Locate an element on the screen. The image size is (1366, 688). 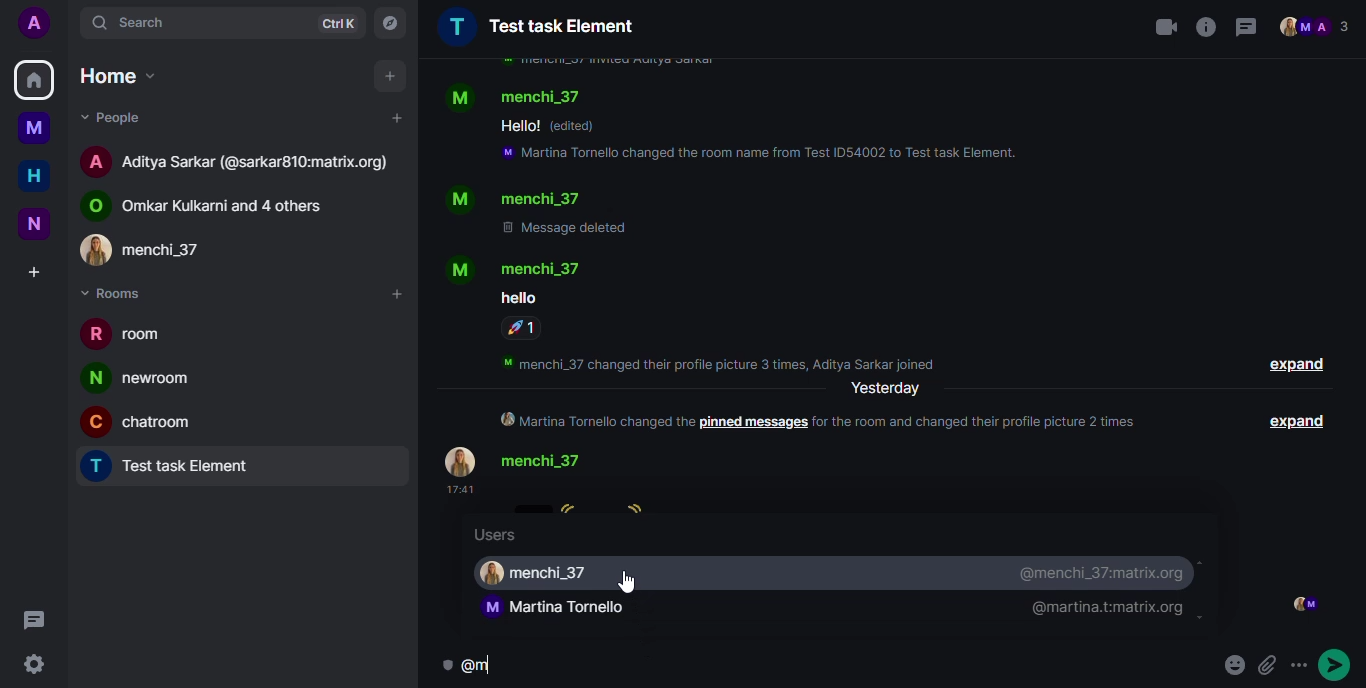
expand is located at coordinates (1296, 366).